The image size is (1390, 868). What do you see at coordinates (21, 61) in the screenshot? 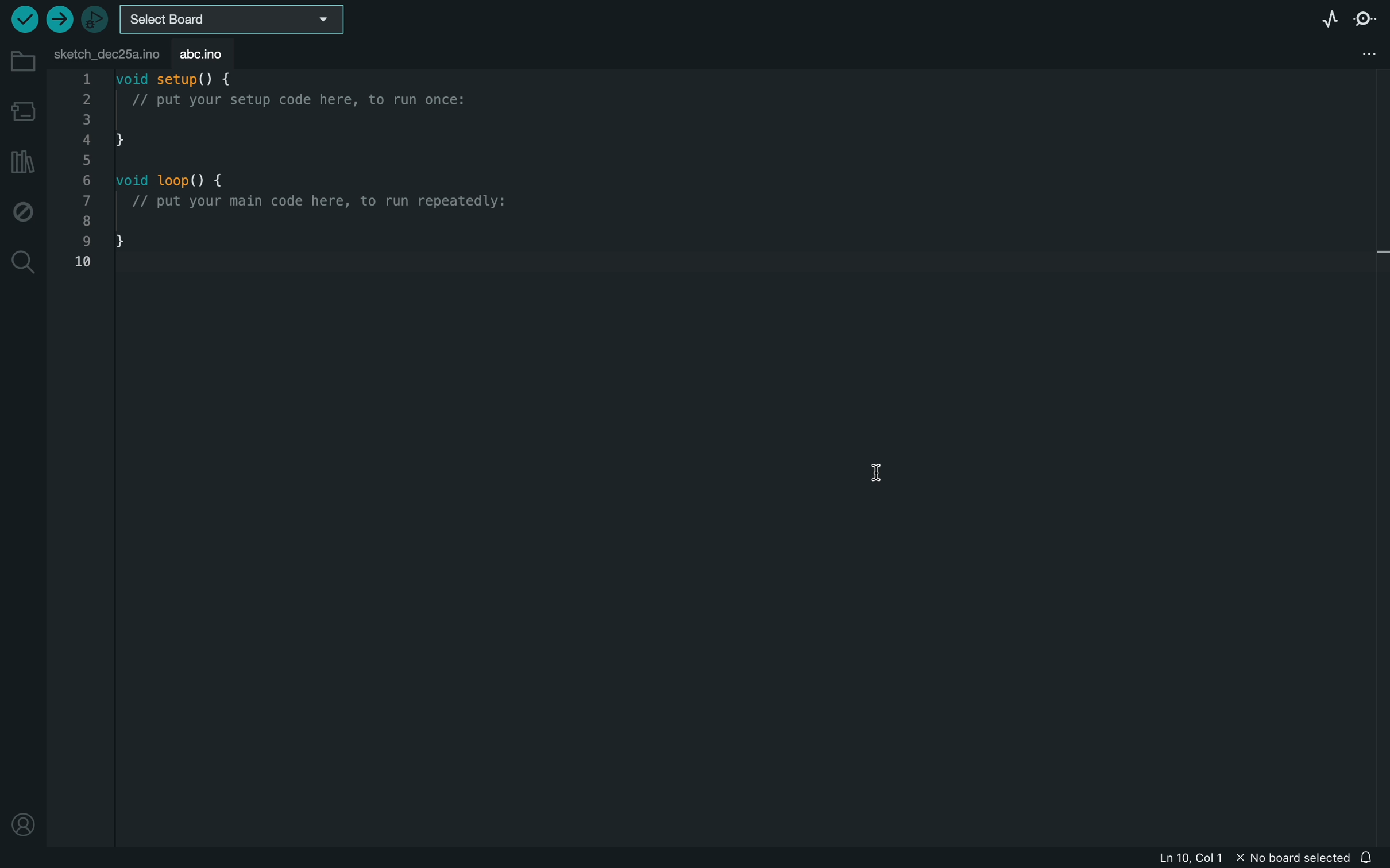
I see `folder` at bounding box center [21, 61].